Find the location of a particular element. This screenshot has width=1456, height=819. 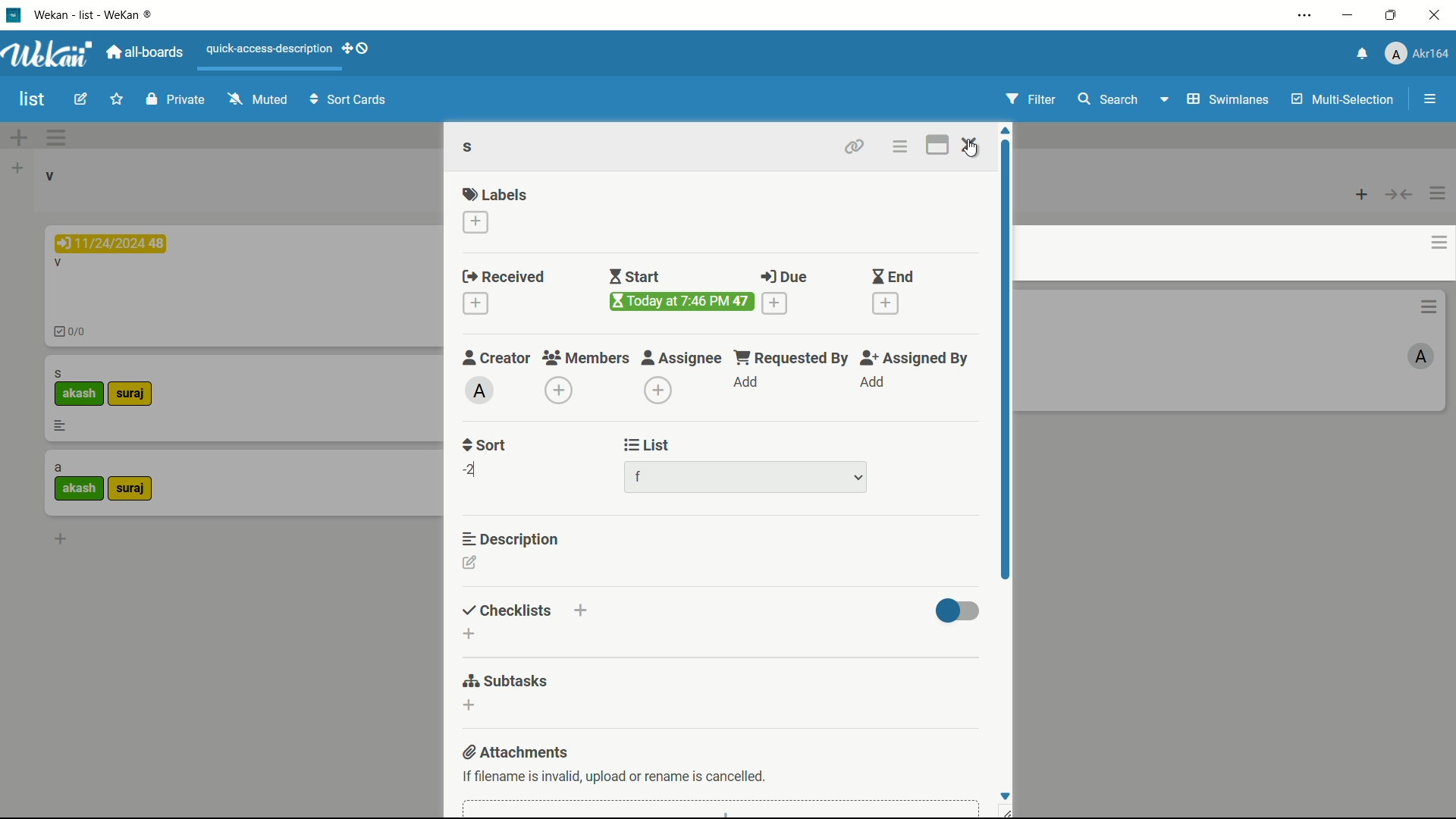

add assignee is located at coordinates (657, 391).